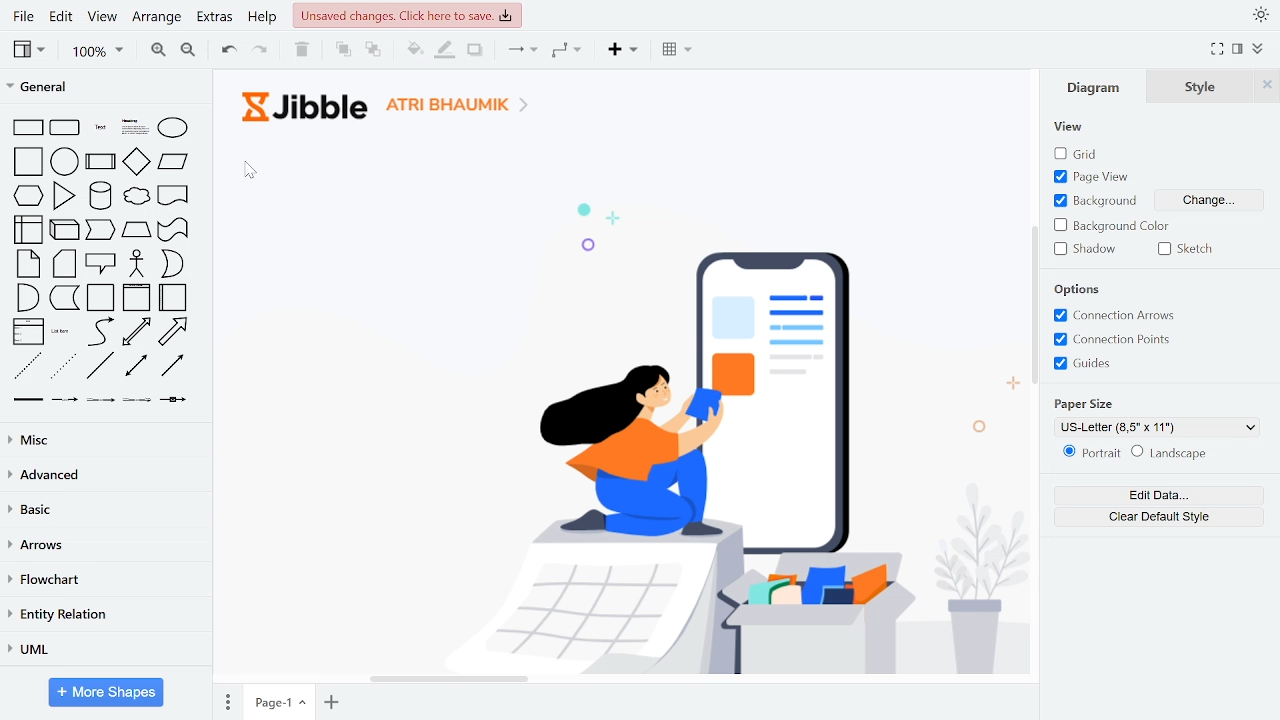 This screenshot has width=1280, height=720. Describe the element at coordinates (226, 701) in the screenshot. I see `pages` at that location.